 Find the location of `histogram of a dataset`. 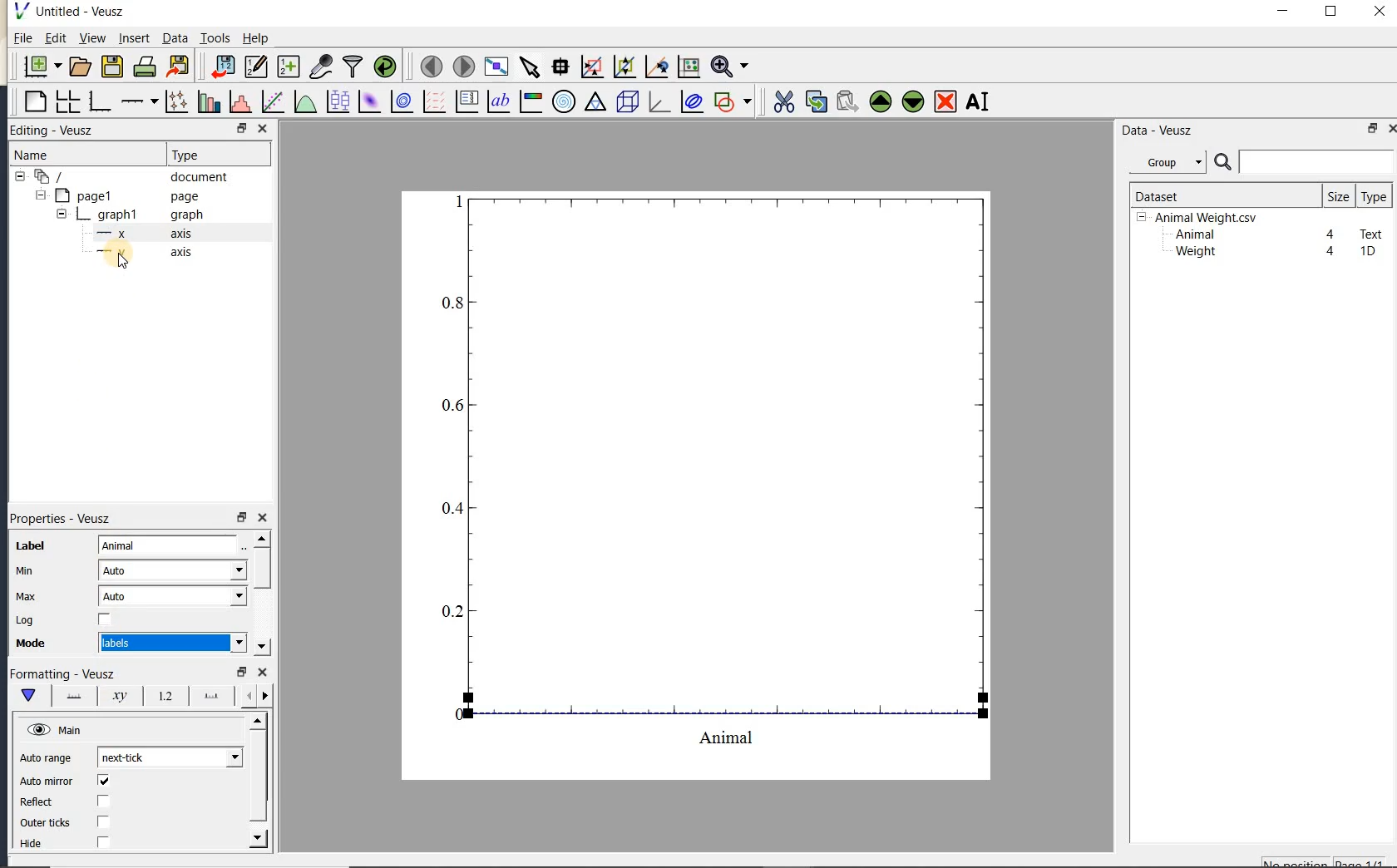

histogram of a dataset is located at coordinates (239, 101).